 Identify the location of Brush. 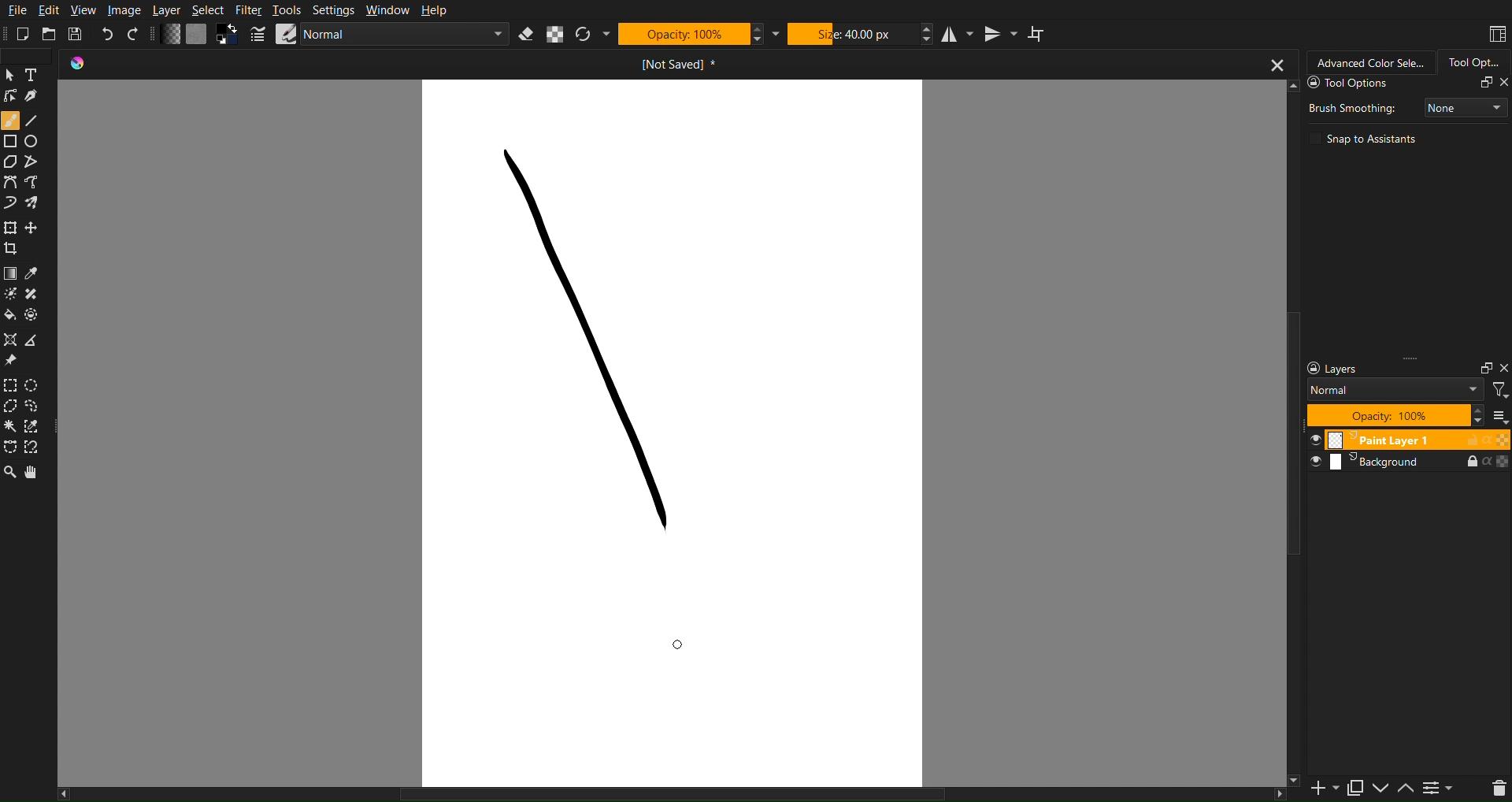
(36, 204).